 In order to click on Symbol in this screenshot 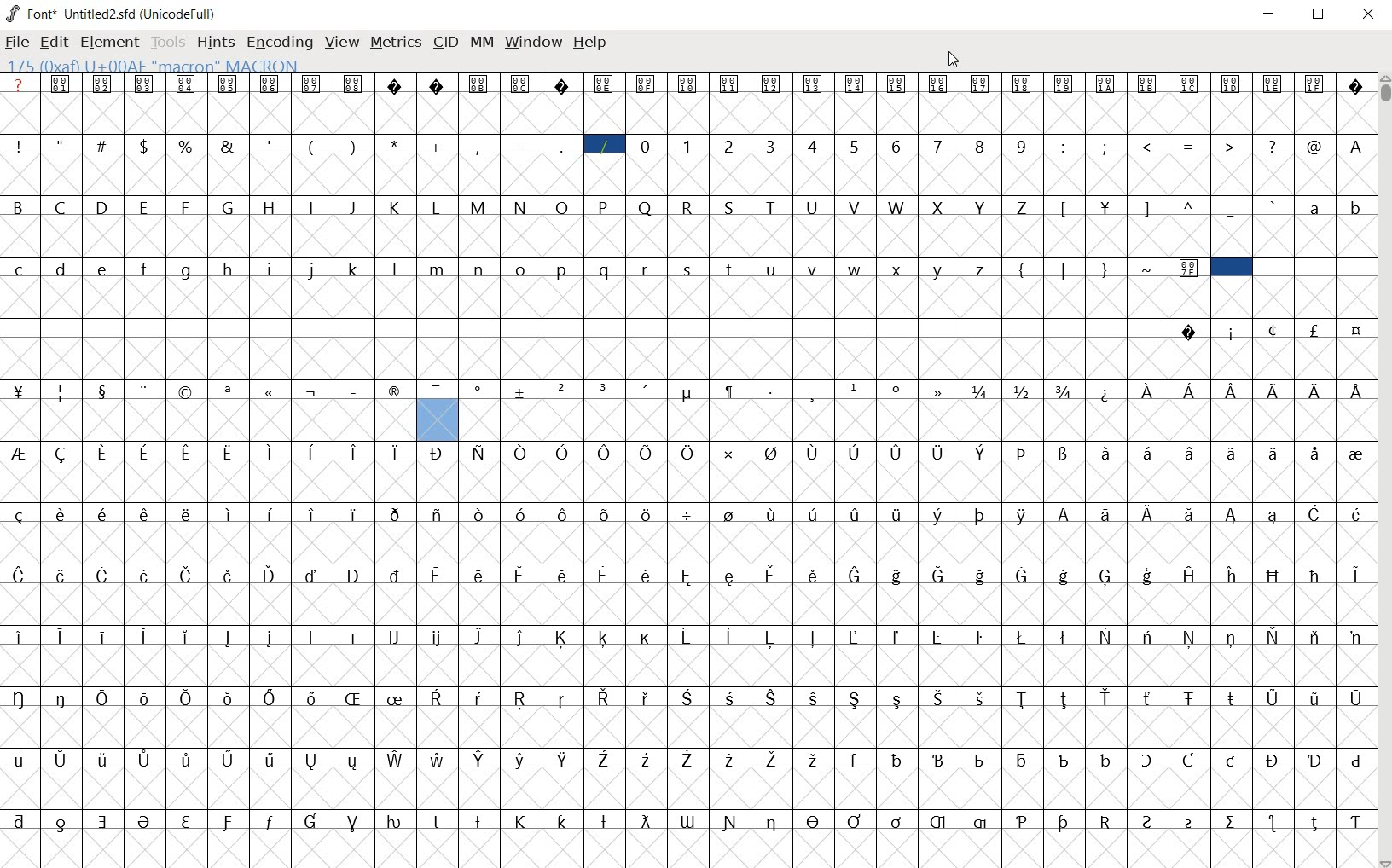, I will do `click(274, 697)`.